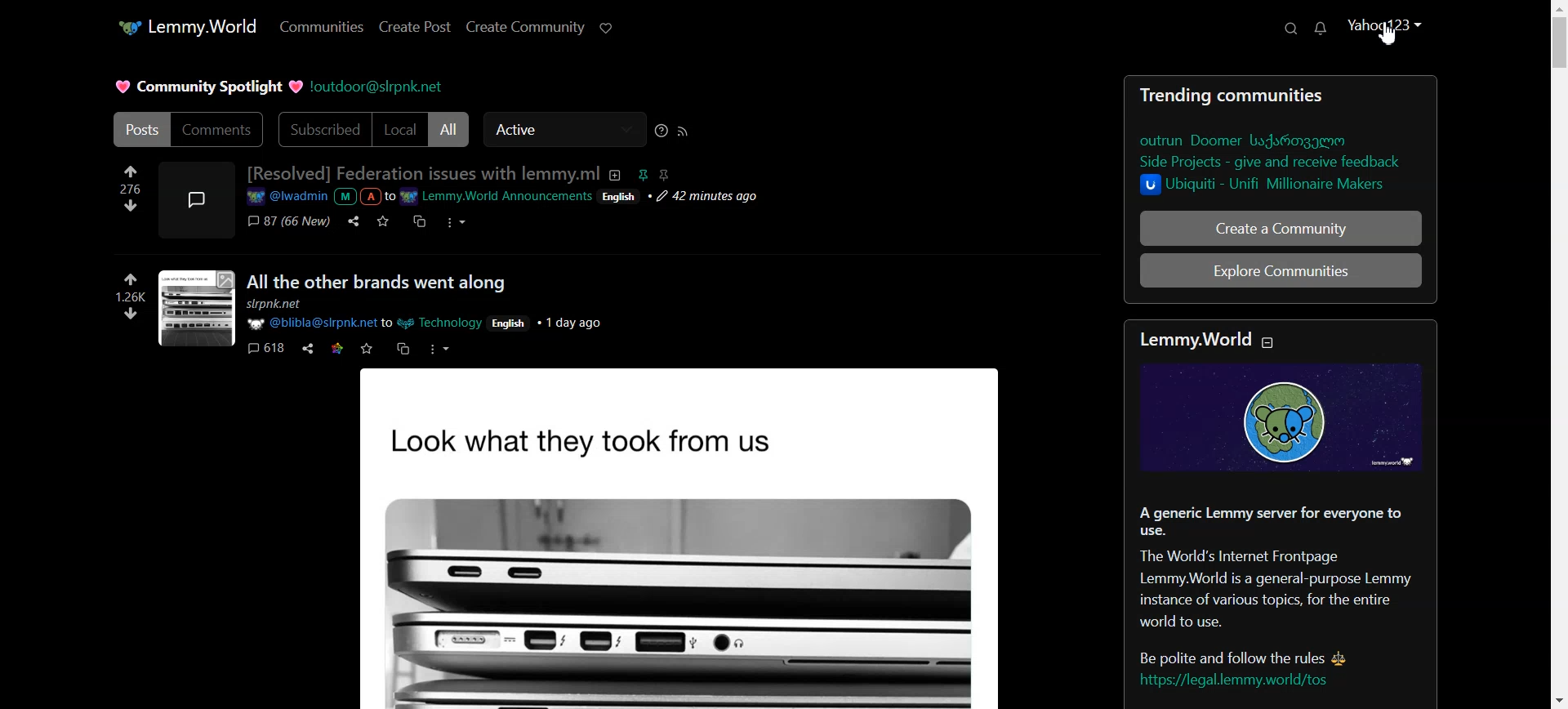 The height and width of the screenshot is (709, 1568). What do you see at coordinates (497, 197) in the screenshot?
I see `lemmy.world announcements` at bounding box center [497, 197].